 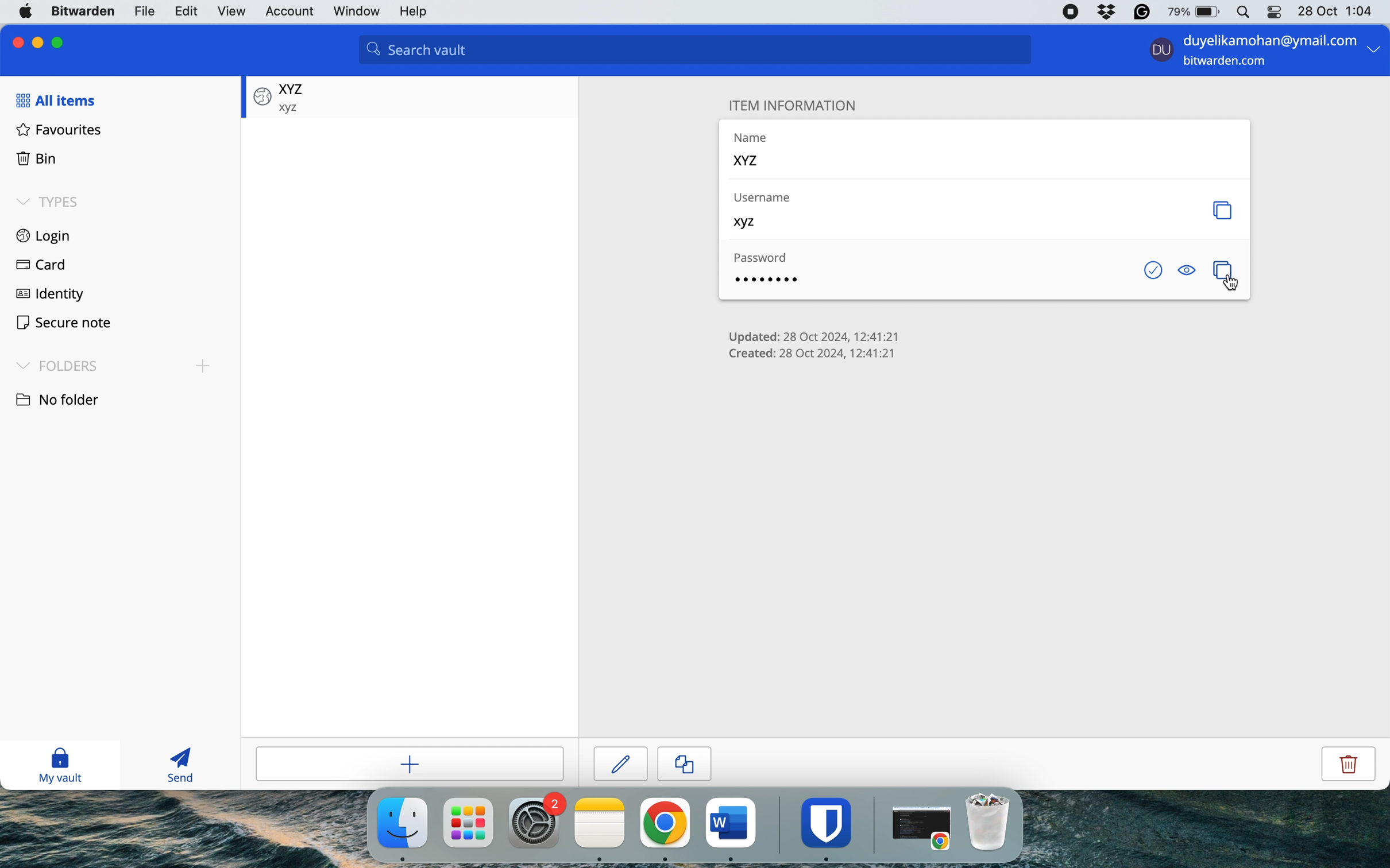 I want to click on minimise, so click(x=40, y=40).